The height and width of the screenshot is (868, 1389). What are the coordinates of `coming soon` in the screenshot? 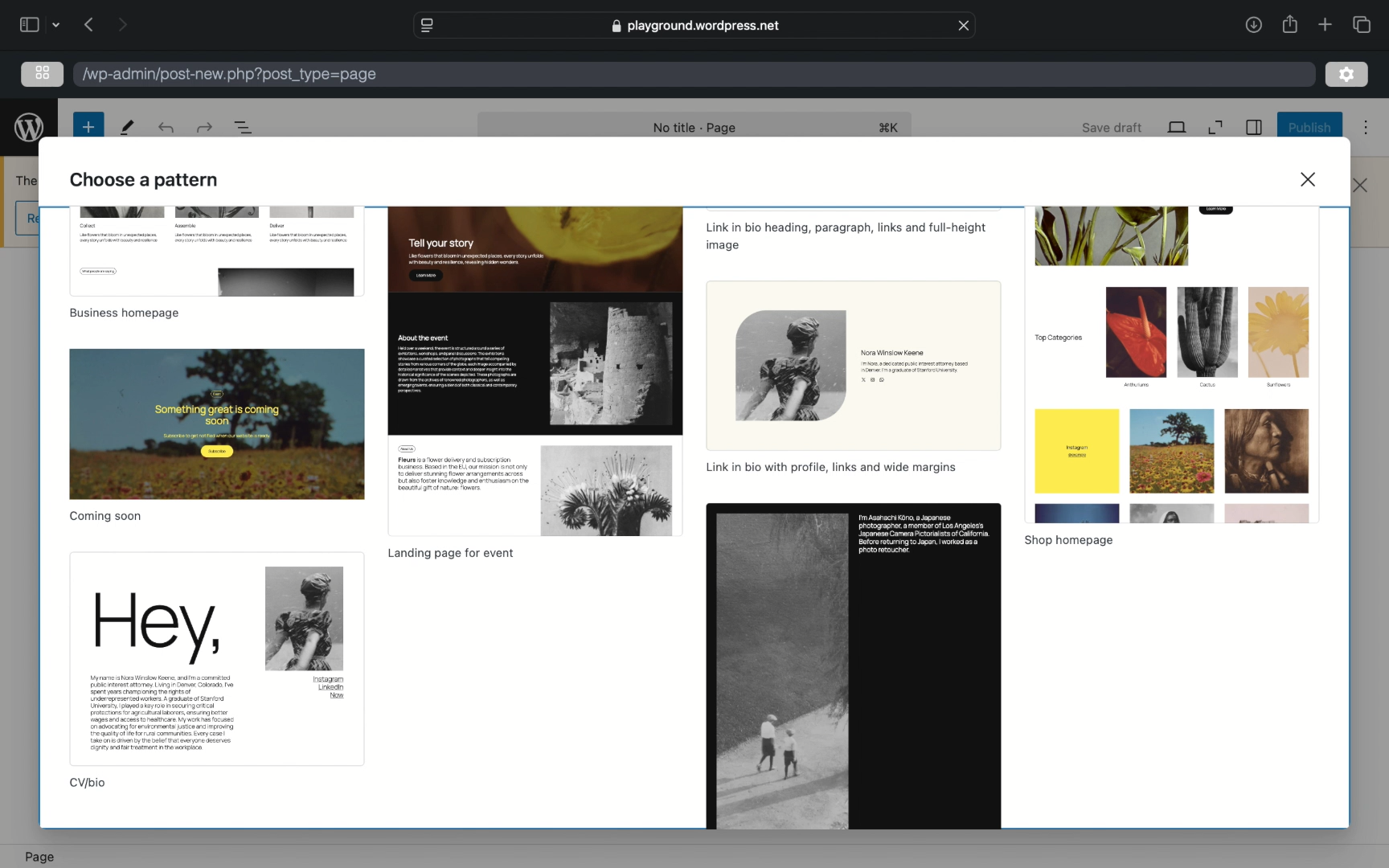 It's located at (106, 515).